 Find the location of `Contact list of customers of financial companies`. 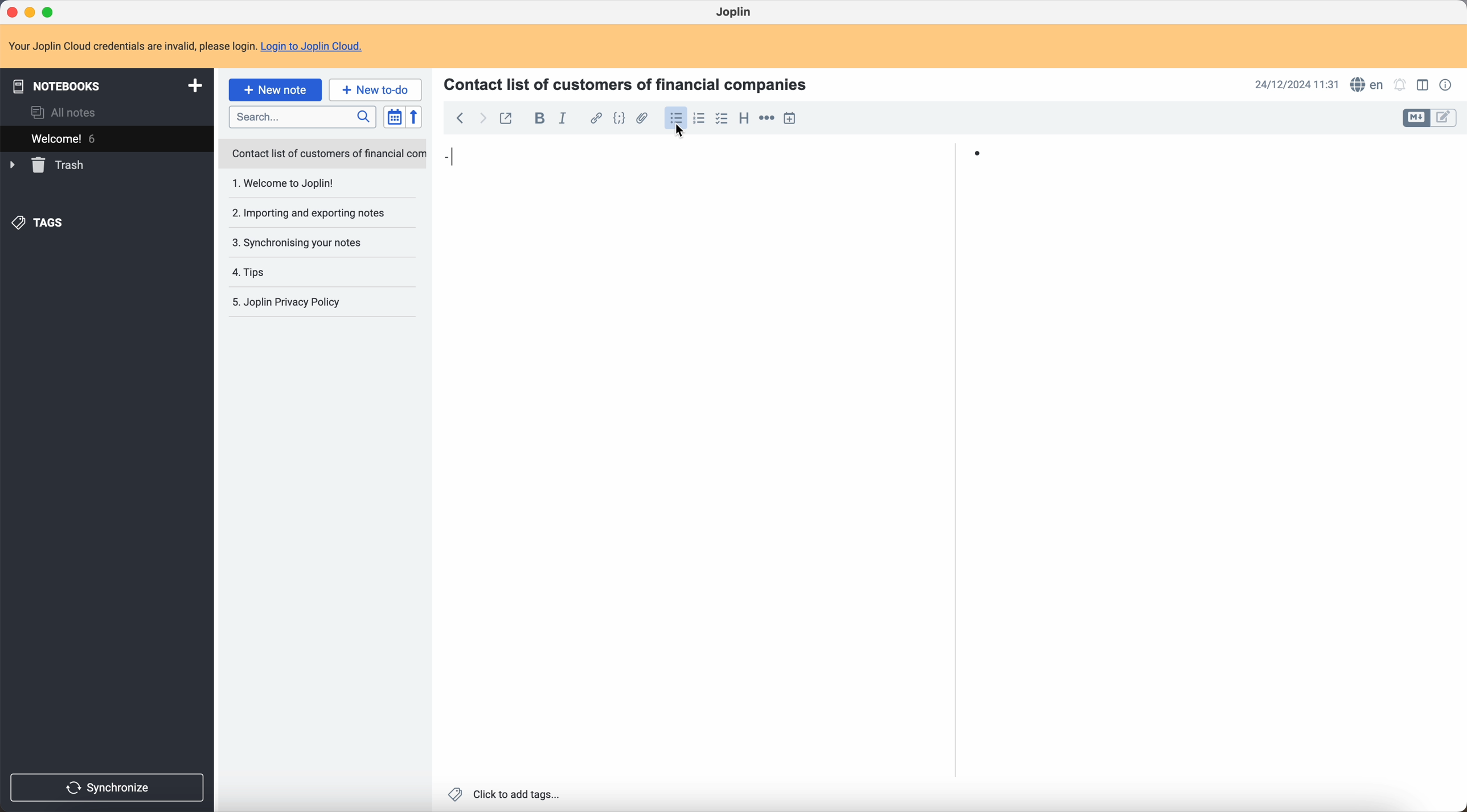

Contact list of customers of financial companies is located at coordinates (633, 83).